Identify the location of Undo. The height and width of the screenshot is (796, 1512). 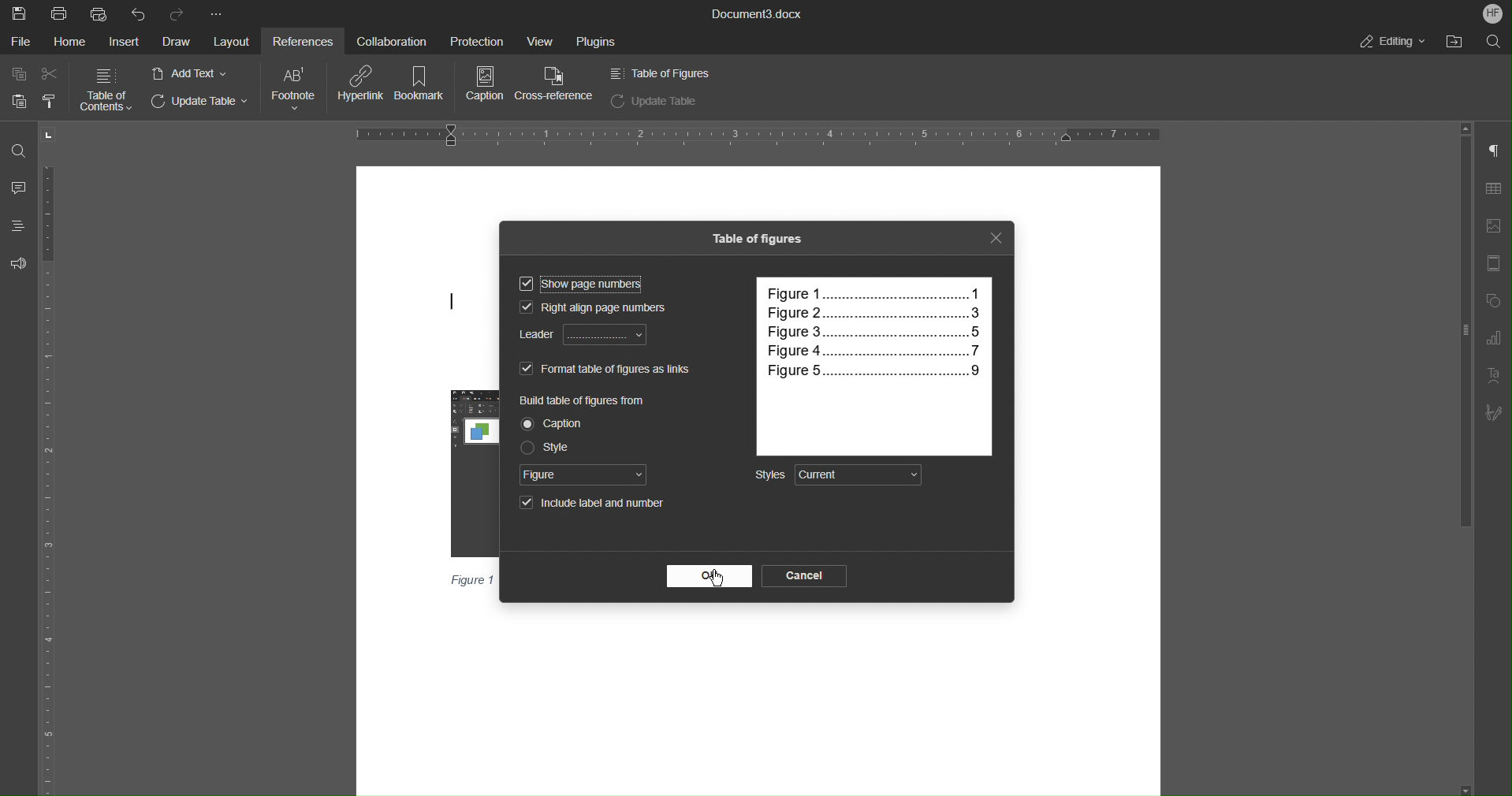
(138, 13).